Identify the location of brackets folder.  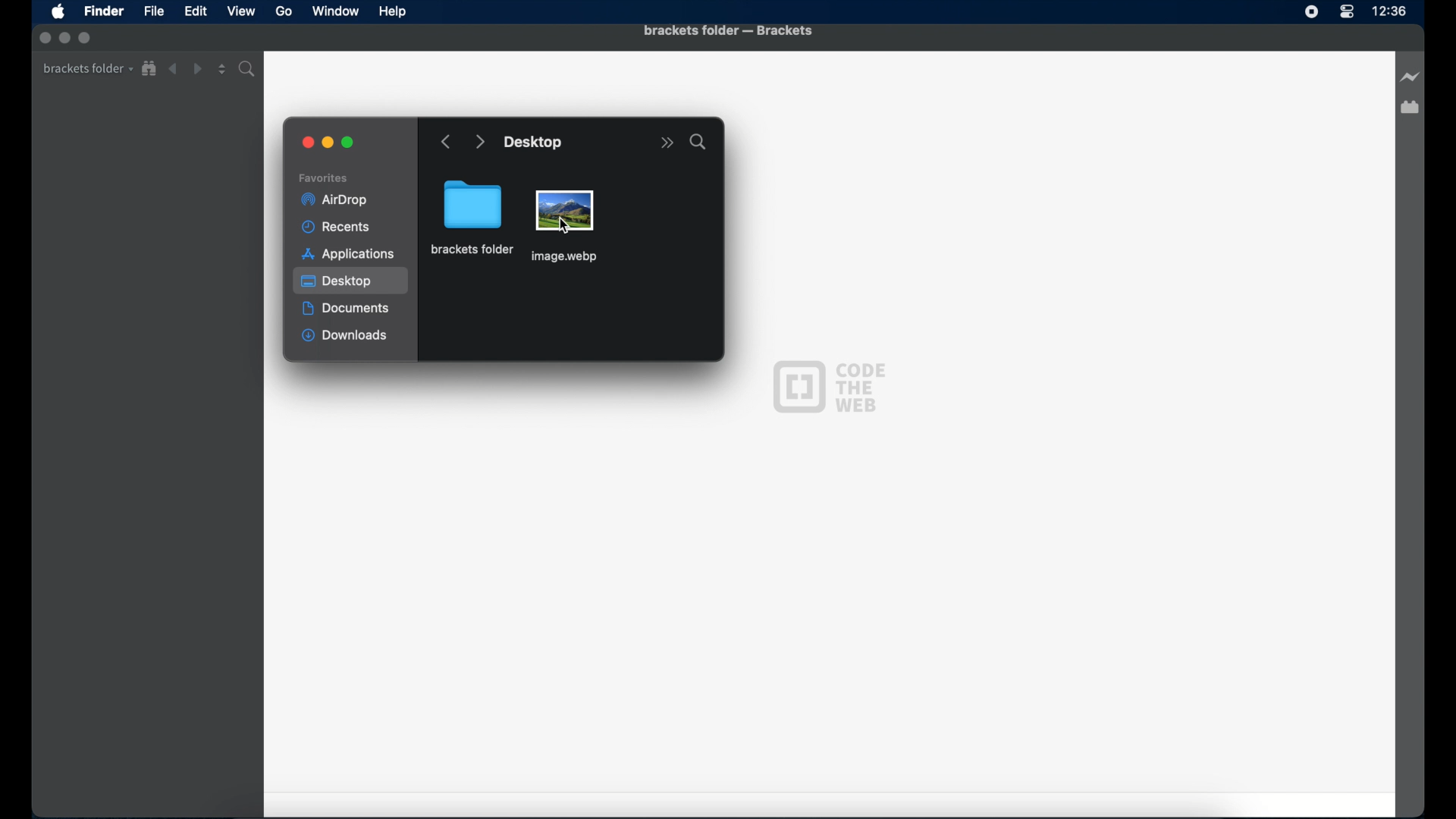
(88, 69).